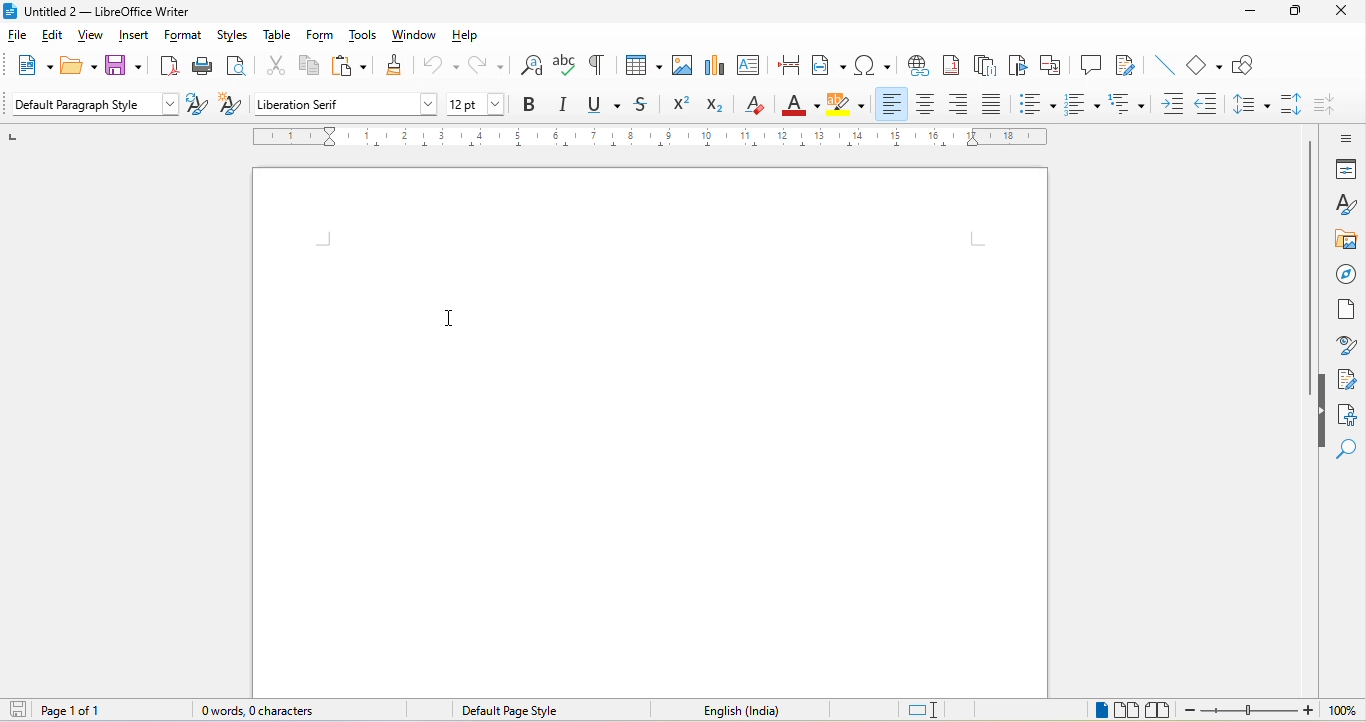 The image size is (1366, 722). Describe the element at coordinates (1340, 12) in the screenshot. I see `close` at that location.